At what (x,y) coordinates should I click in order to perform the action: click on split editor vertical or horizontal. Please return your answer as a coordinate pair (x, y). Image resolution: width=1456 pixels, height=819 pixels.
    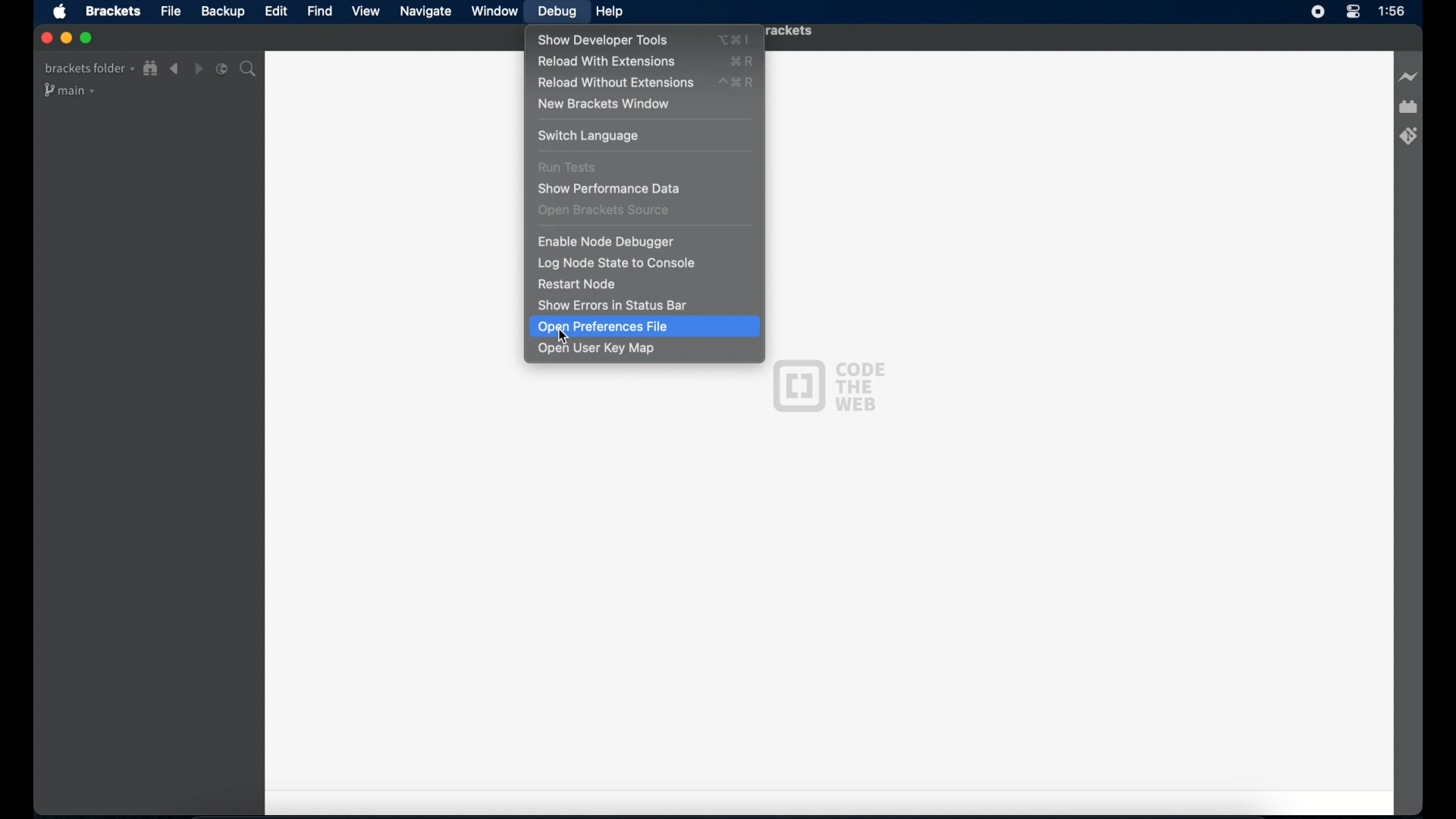
    Looking at the image, I should click on (222, 69).